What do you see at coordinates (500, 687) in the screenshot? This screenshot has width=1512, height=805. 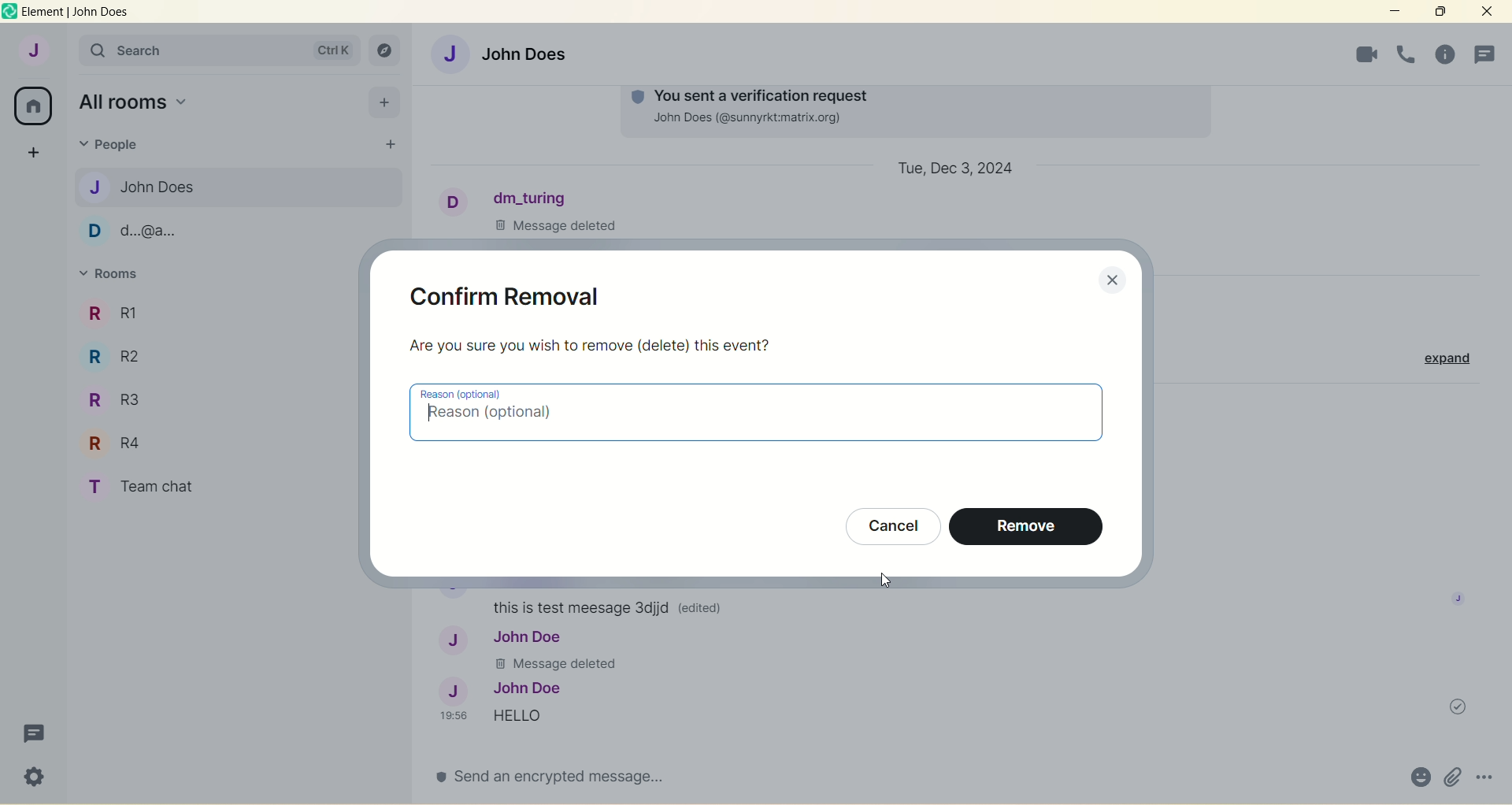 I see `John Doe` at bounding box center [500, 687].